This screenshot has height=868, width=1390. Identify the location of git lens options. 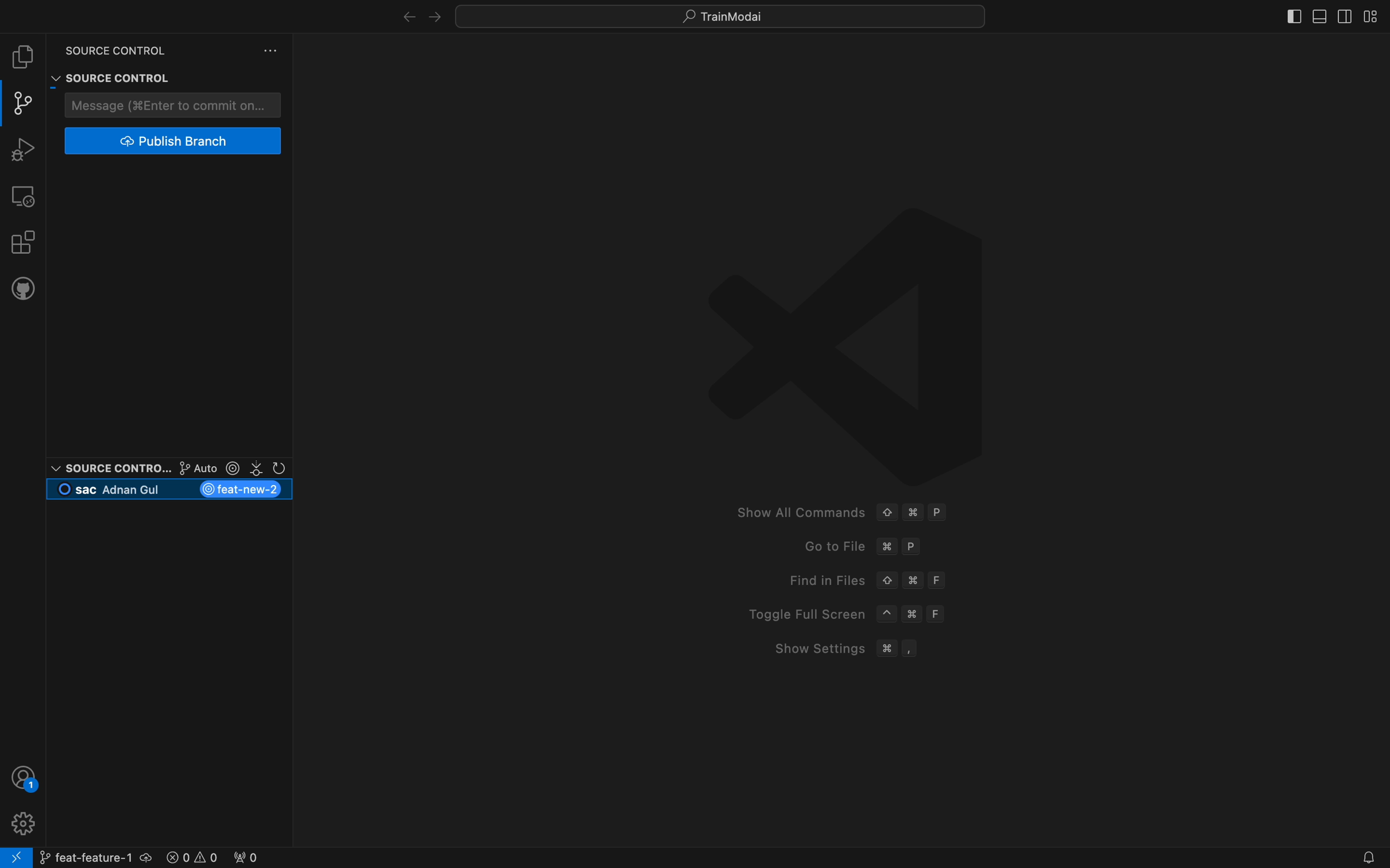
(229, 468).